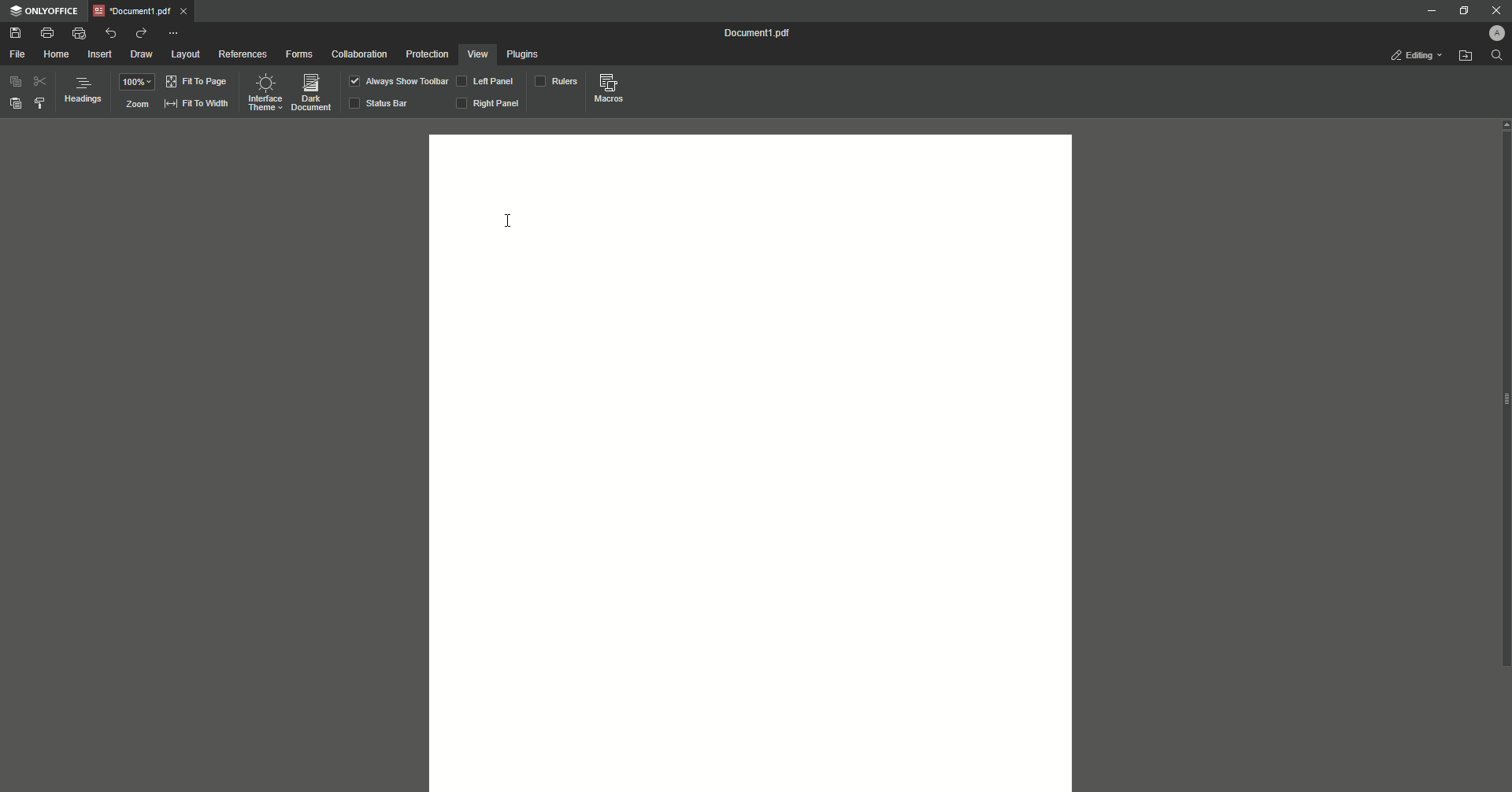  What do you see at coordinates (478, 55) in the screenshot?
I see `View` at bounding box center [478, 55].